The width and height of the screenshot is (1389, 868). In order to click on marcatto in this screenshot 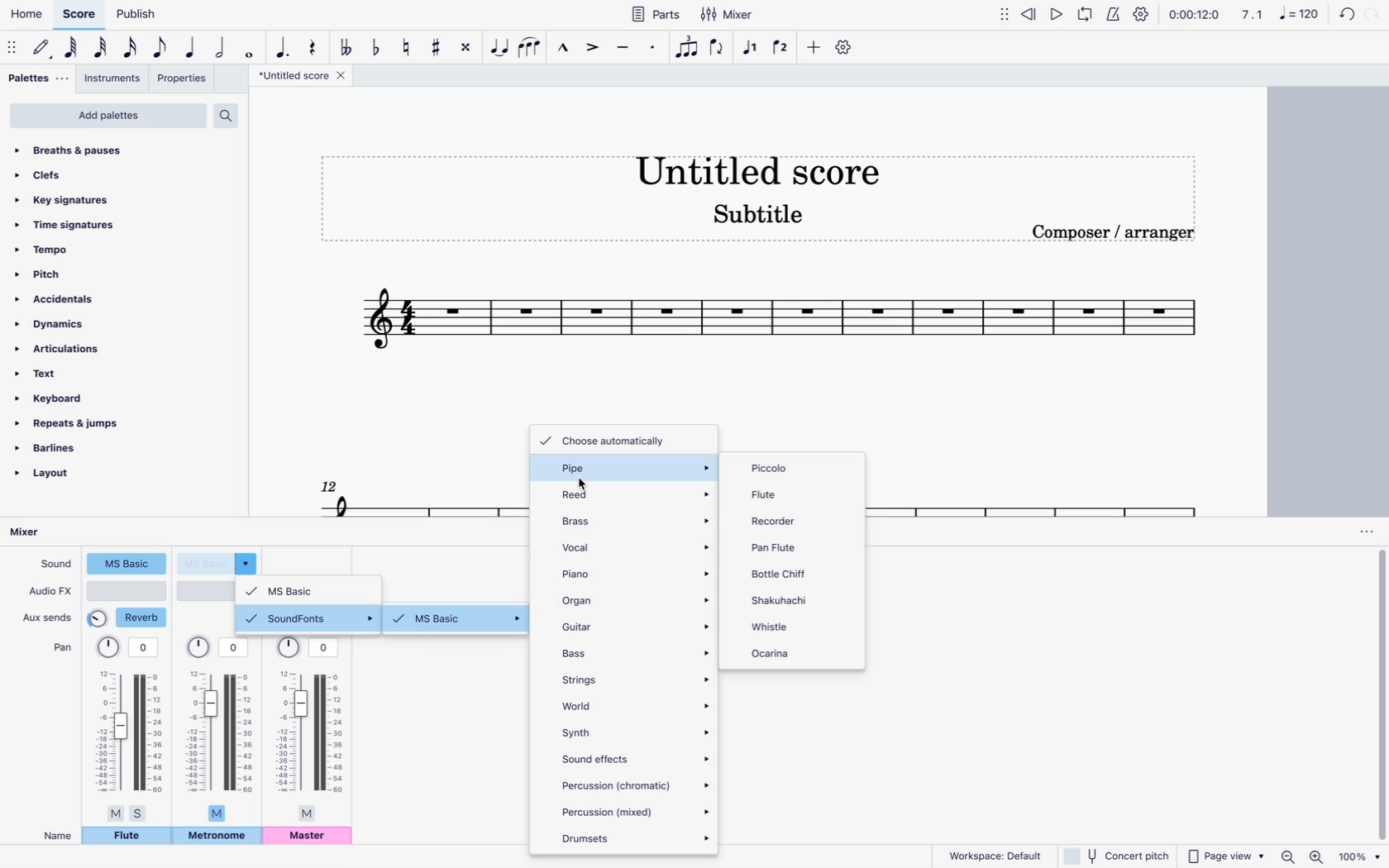, I will do `click(563, 49)`.